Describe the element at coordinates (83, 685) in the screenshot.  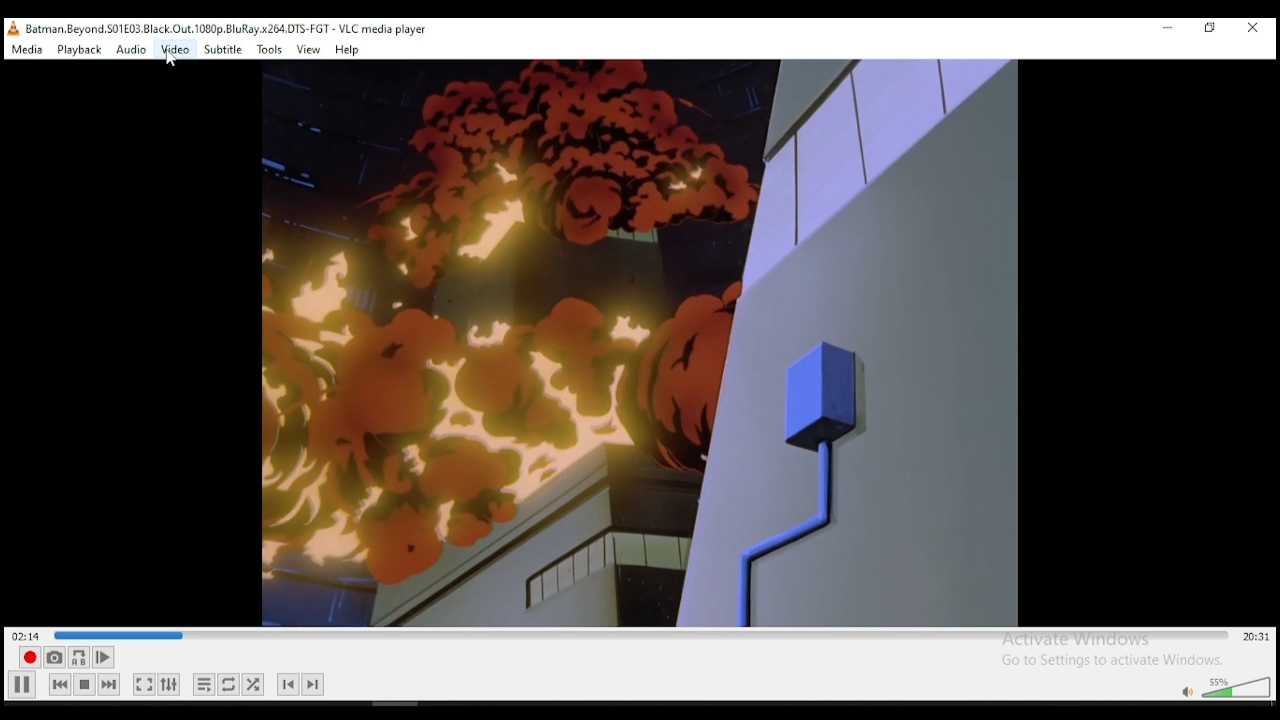
I see `stop` at that location.